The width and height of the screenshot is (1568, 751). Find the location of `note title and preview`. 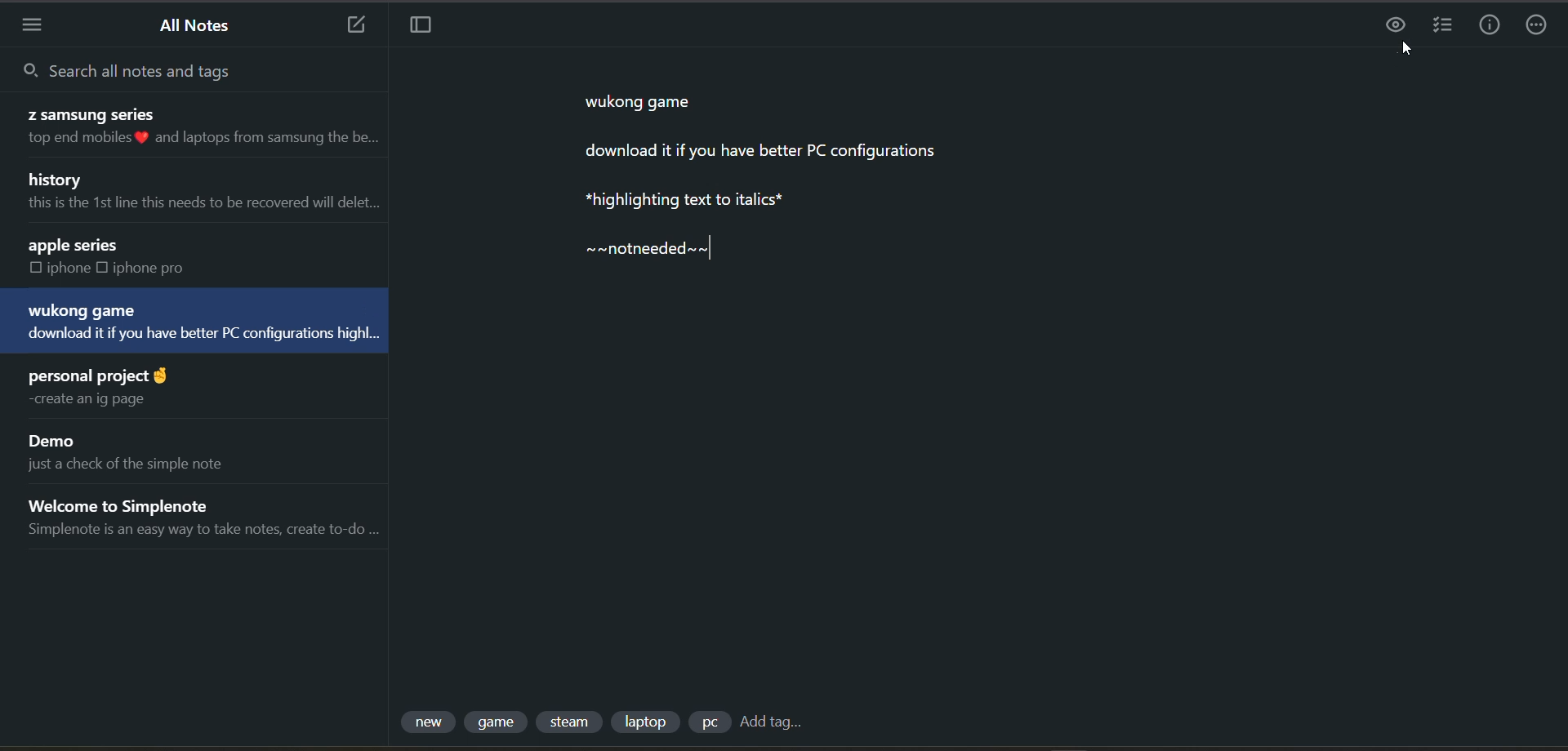

note title and preview is located at coordinates (140, 452).